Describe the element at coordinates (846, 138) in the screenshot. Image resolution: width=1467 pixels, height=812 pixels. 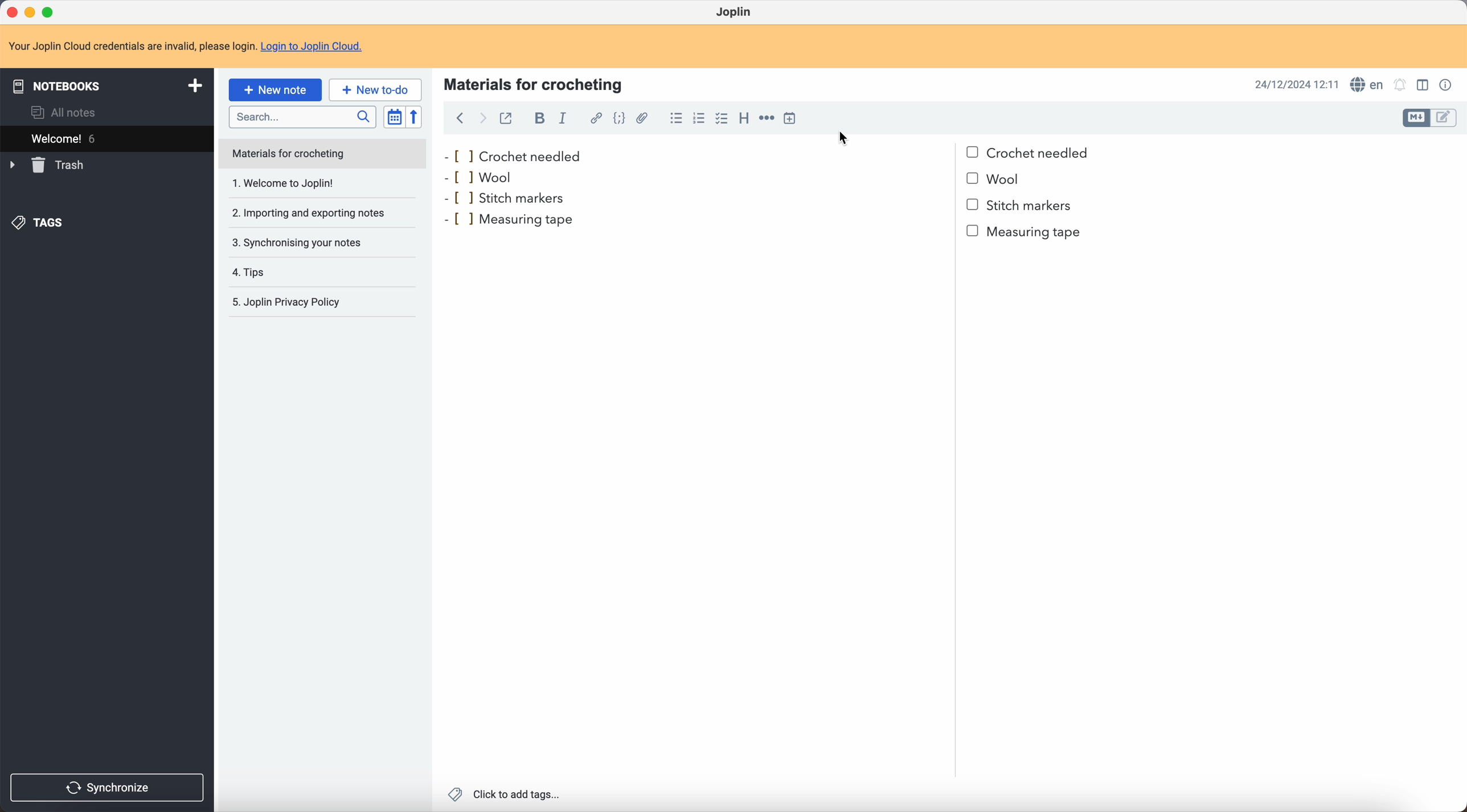
I see `cursor` at that location.